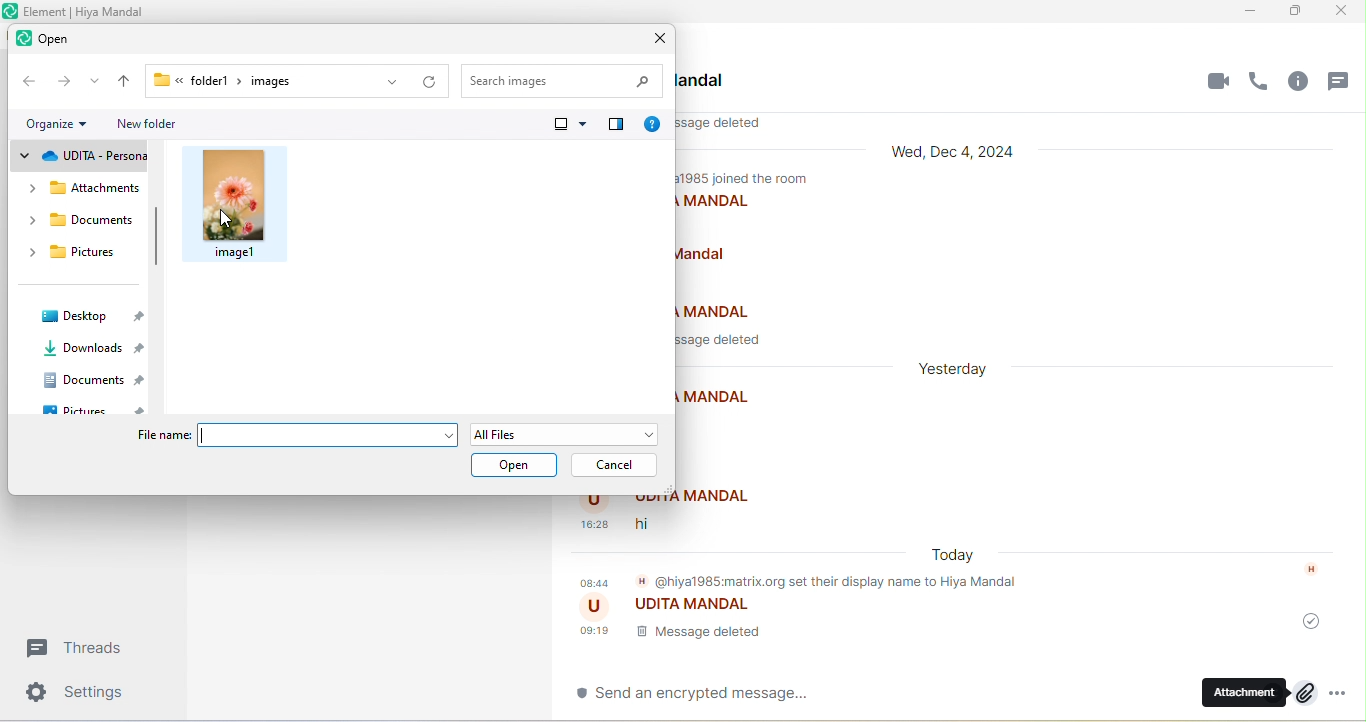  What do you see at coordinates (84, 695) in the screenshot?
I see `settings` at bounding box center [84, 695].